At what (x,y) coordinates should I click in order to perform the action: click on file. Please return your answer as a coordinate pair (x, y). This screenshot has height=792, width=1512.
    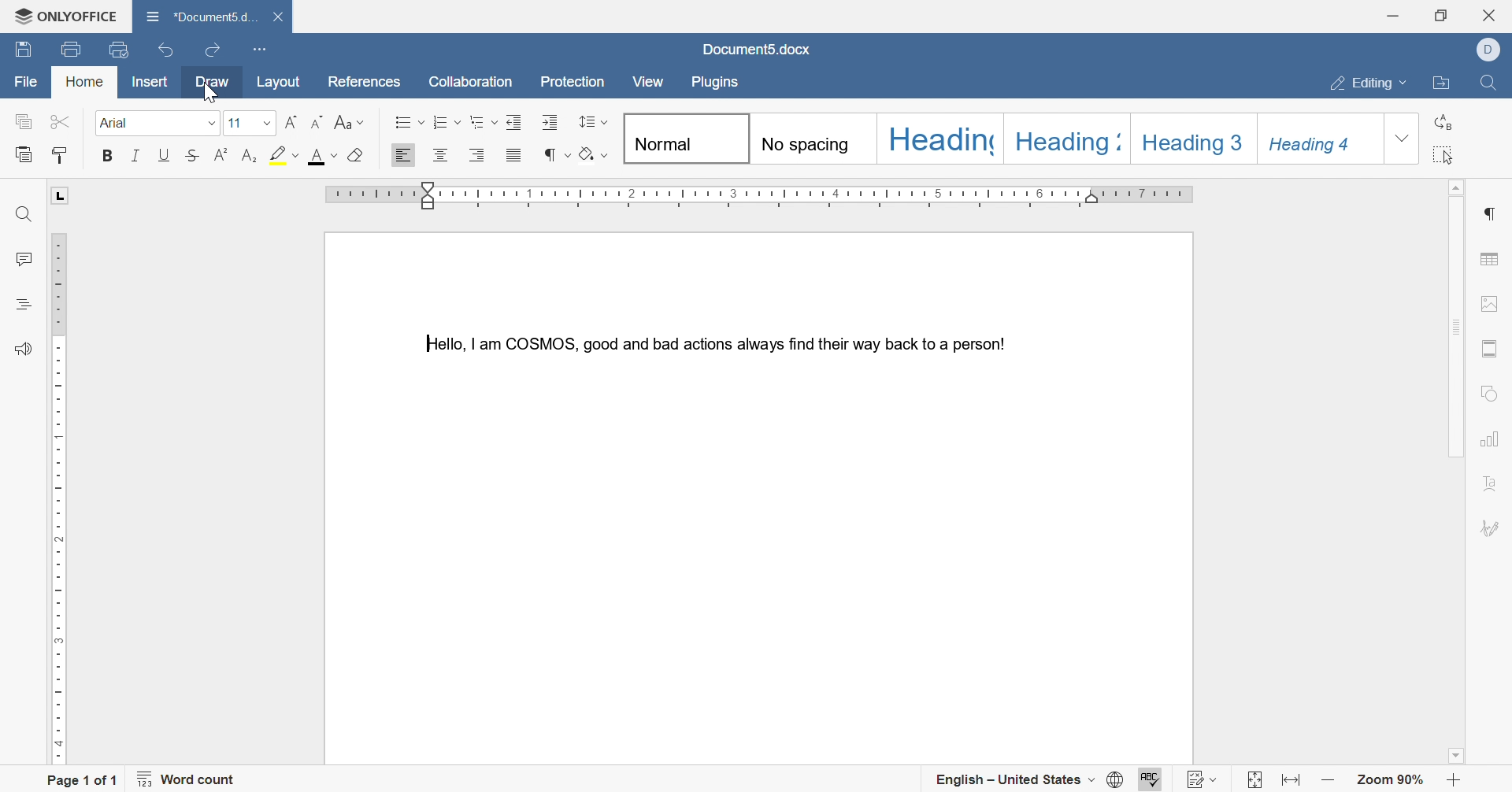
    Looking at the image, I should click on (26, 83).